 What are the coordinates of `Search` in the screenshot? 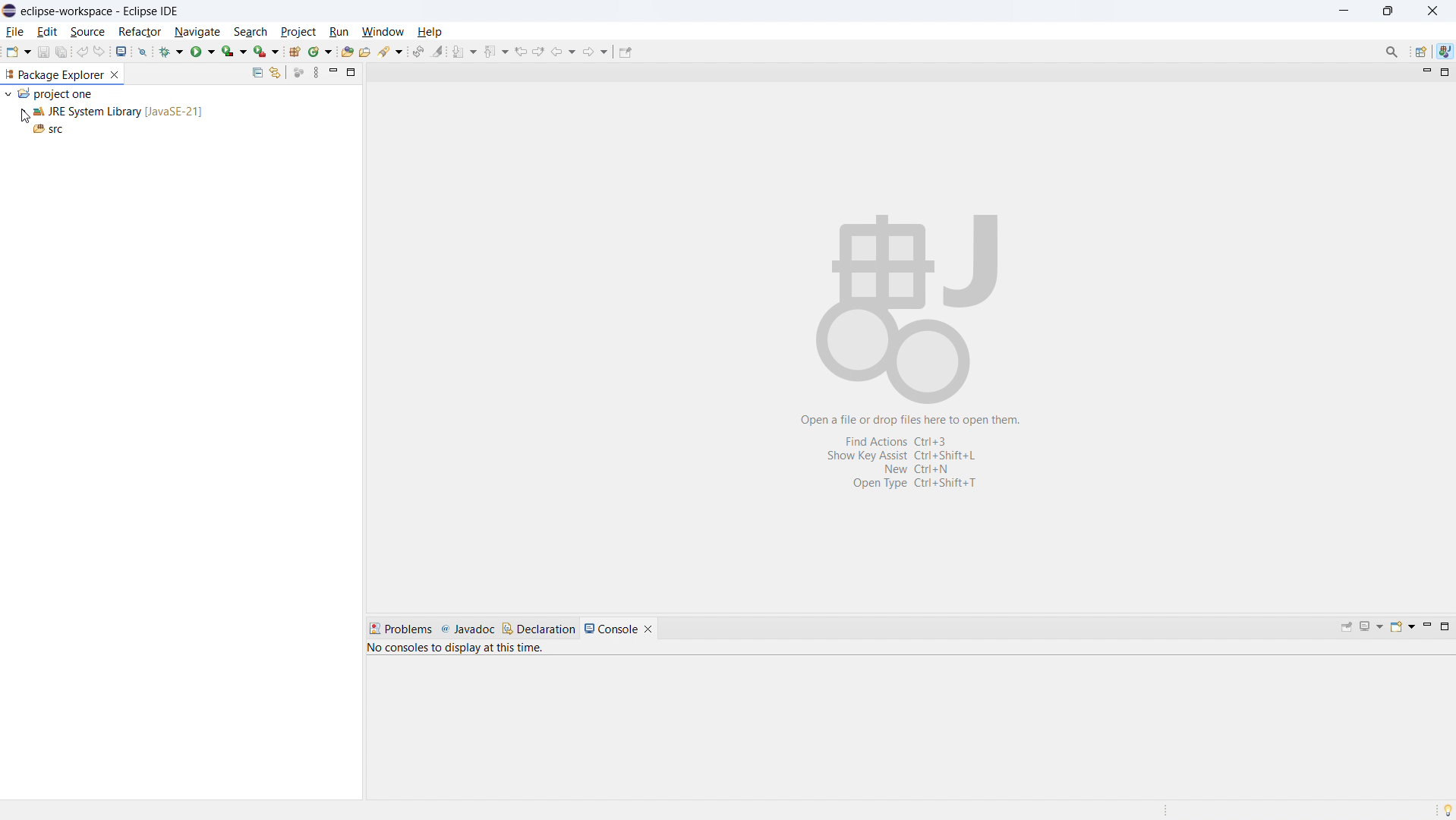 It's located at (1391, 52).